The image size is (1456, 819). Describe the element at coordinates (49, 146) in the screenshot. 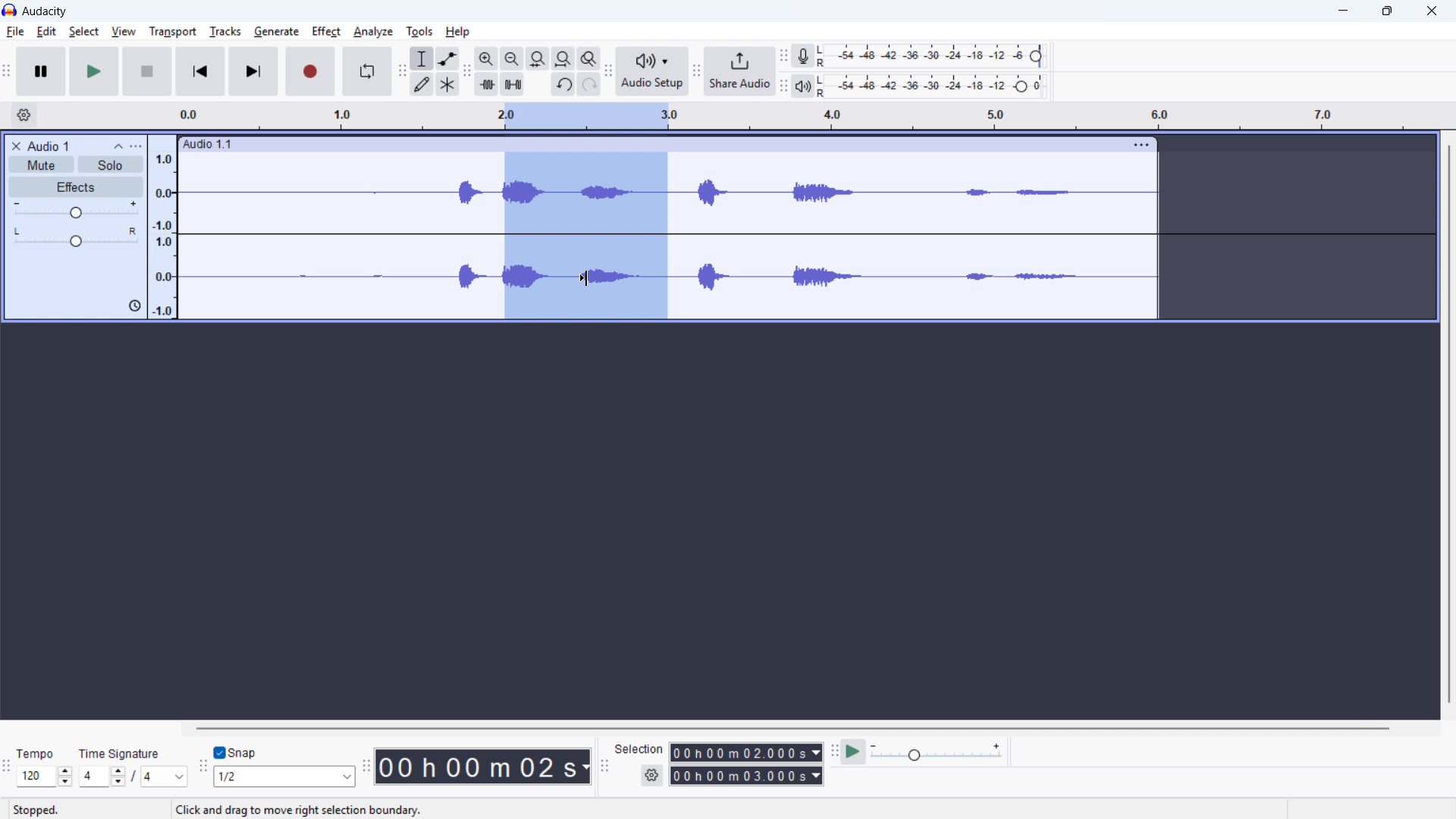

I see `Audio 1` at that location.